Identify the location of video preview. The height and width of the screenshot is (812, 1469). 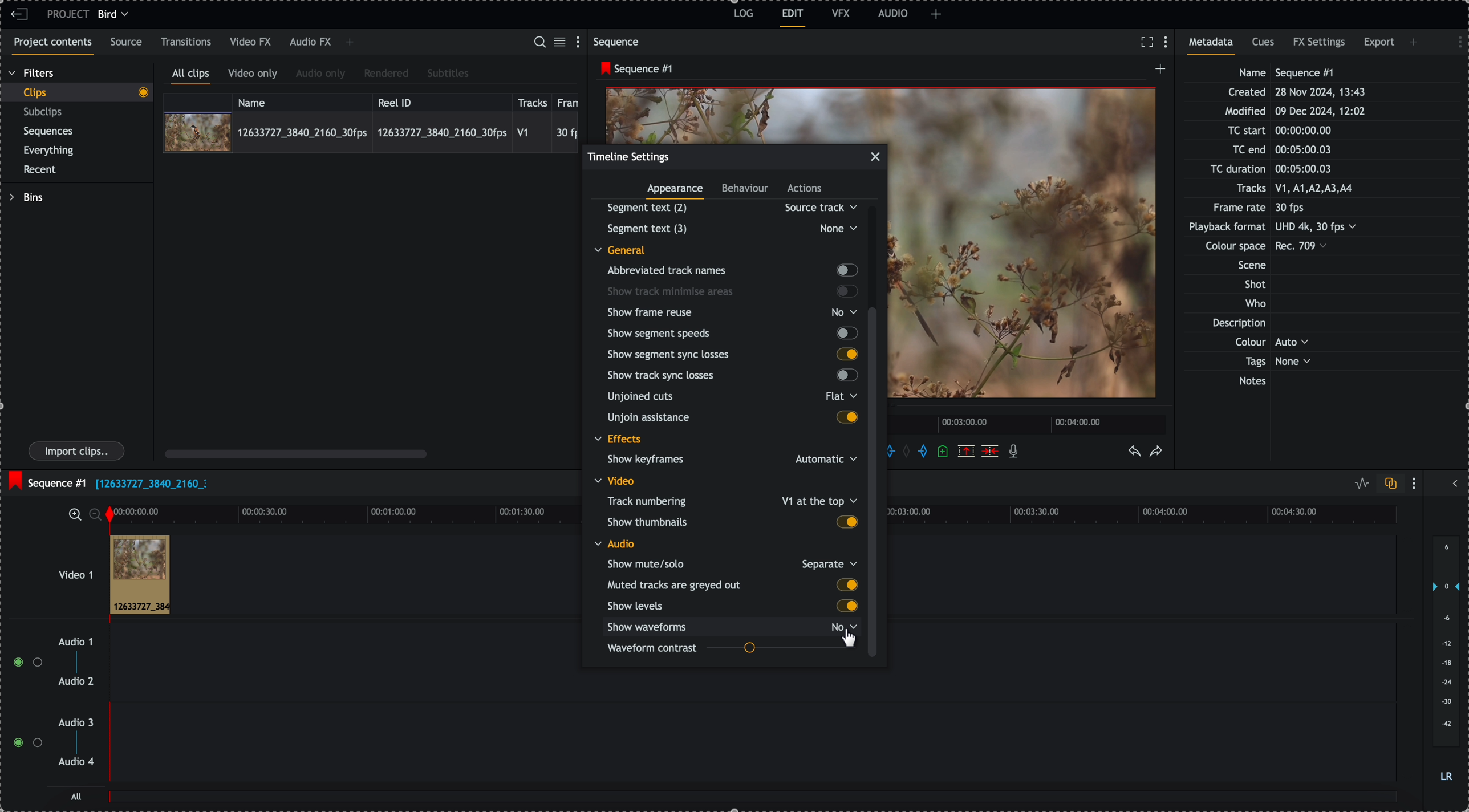
(746, 113).